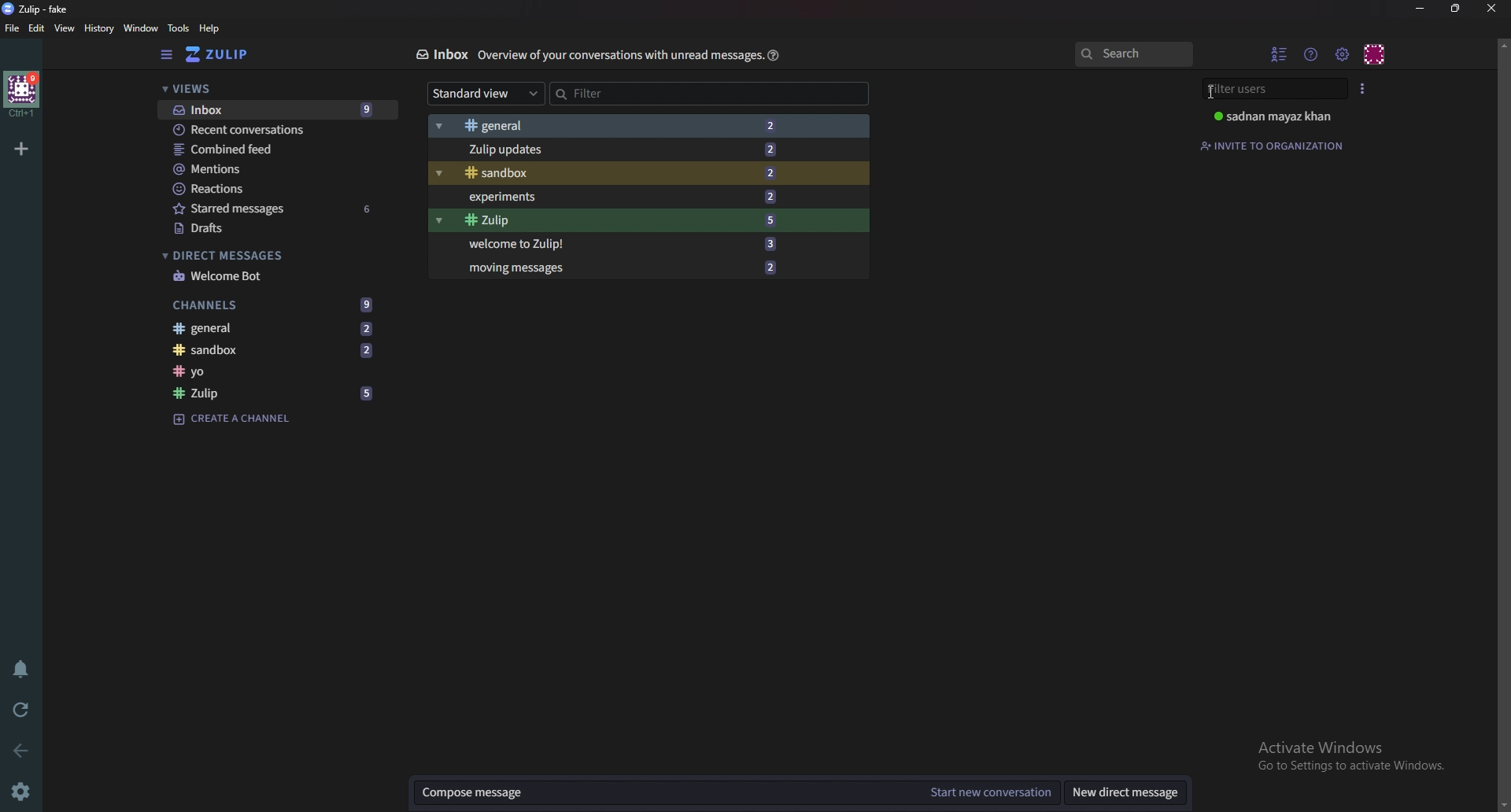 The image size is (1511, 812). What do you see at coordinates (1312, 54) in the screenshot?
I see `help menu` at bounding box center [1312, 54].